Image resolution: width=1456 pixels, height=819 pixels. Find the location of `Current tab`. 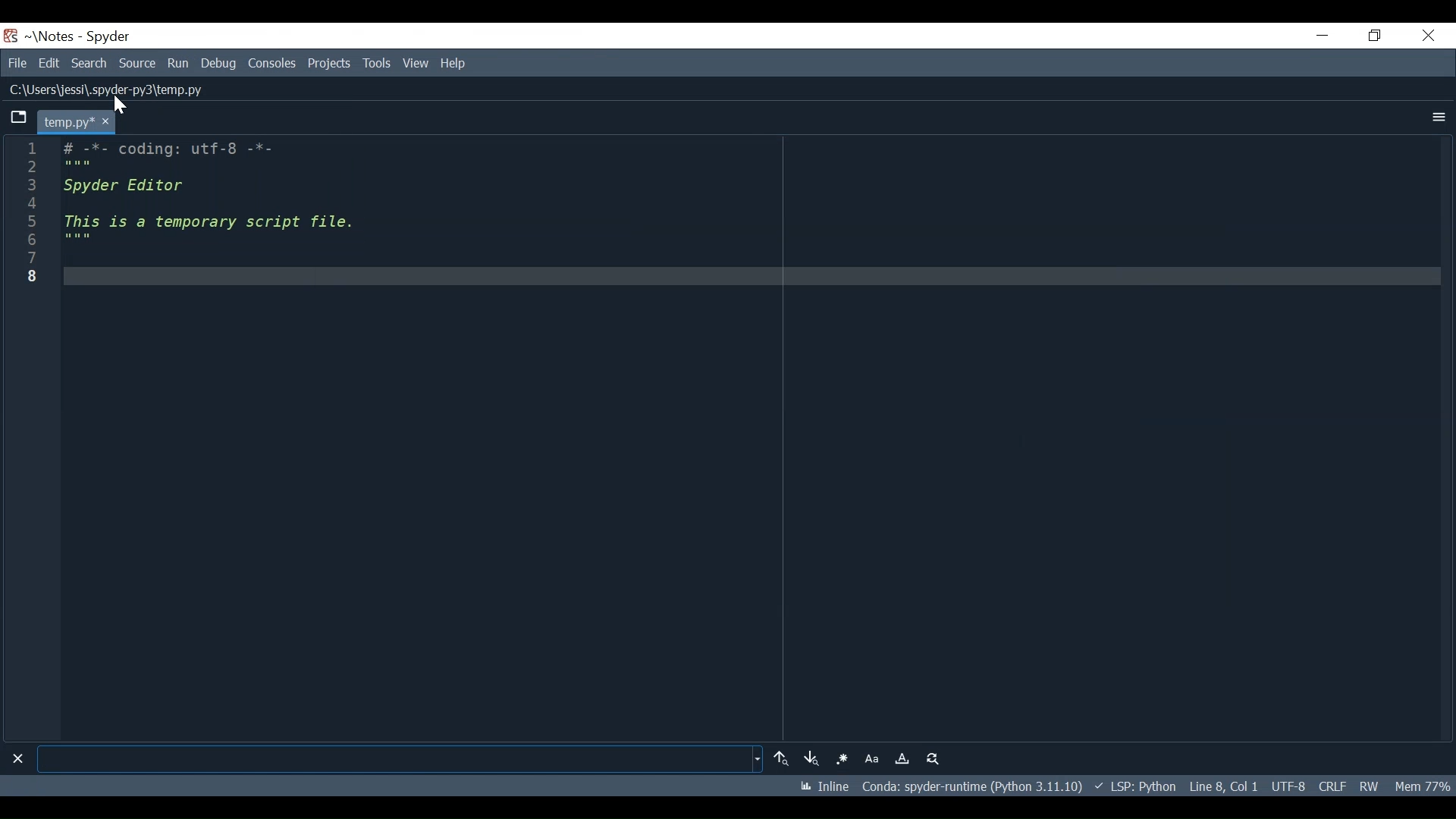

Current tab is located at coordinates (71, 120).